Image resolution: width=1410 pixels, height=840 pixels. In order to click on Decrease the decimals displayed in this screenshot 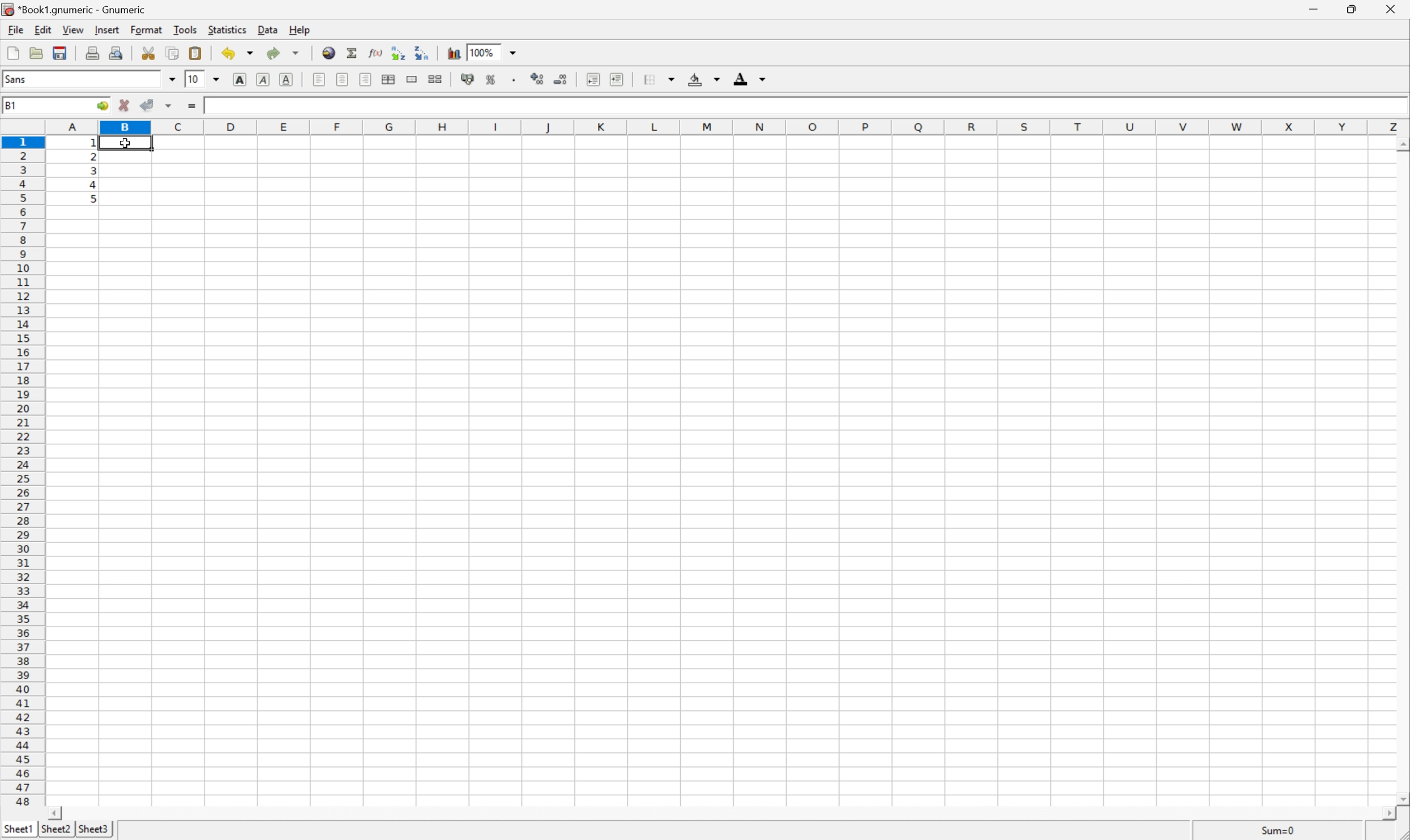, I will do `click(562, 78)`.